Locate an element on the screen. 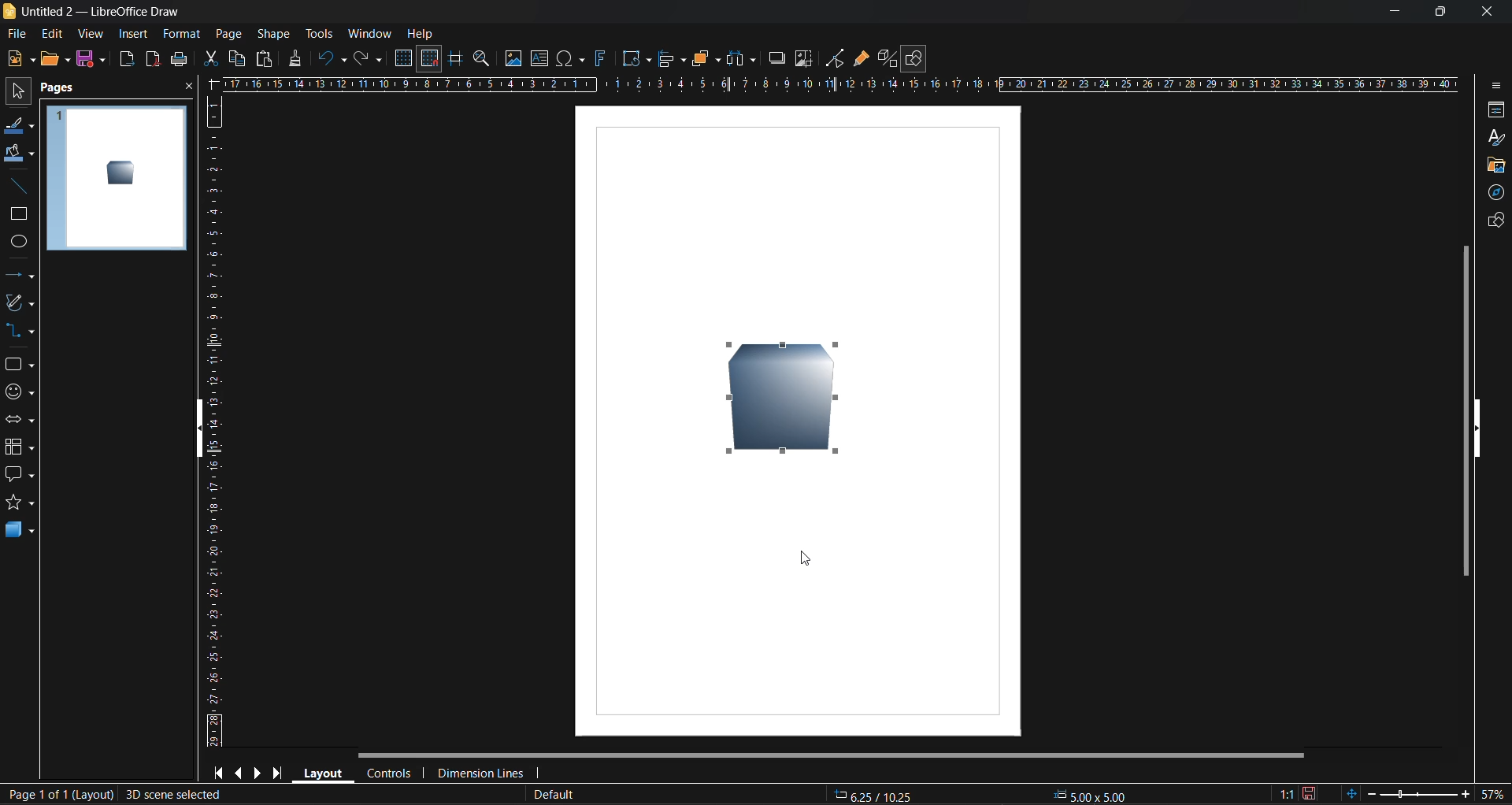 This screenshot has width=1512, height=805. page number is located at coordinates (58, 796).